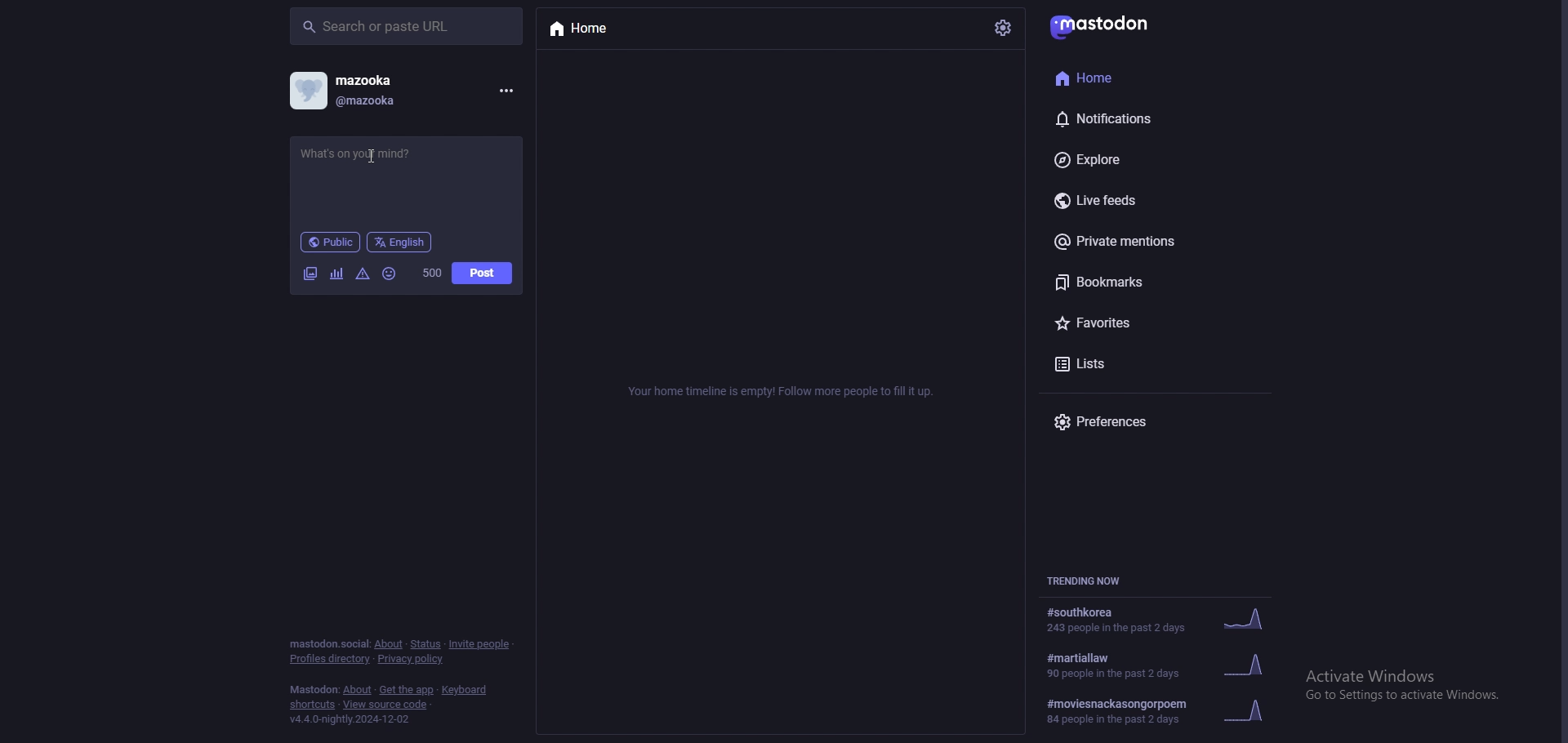  Describe the element at coordinates (407, 689) in the screenshot. I see `get the app` at that location.